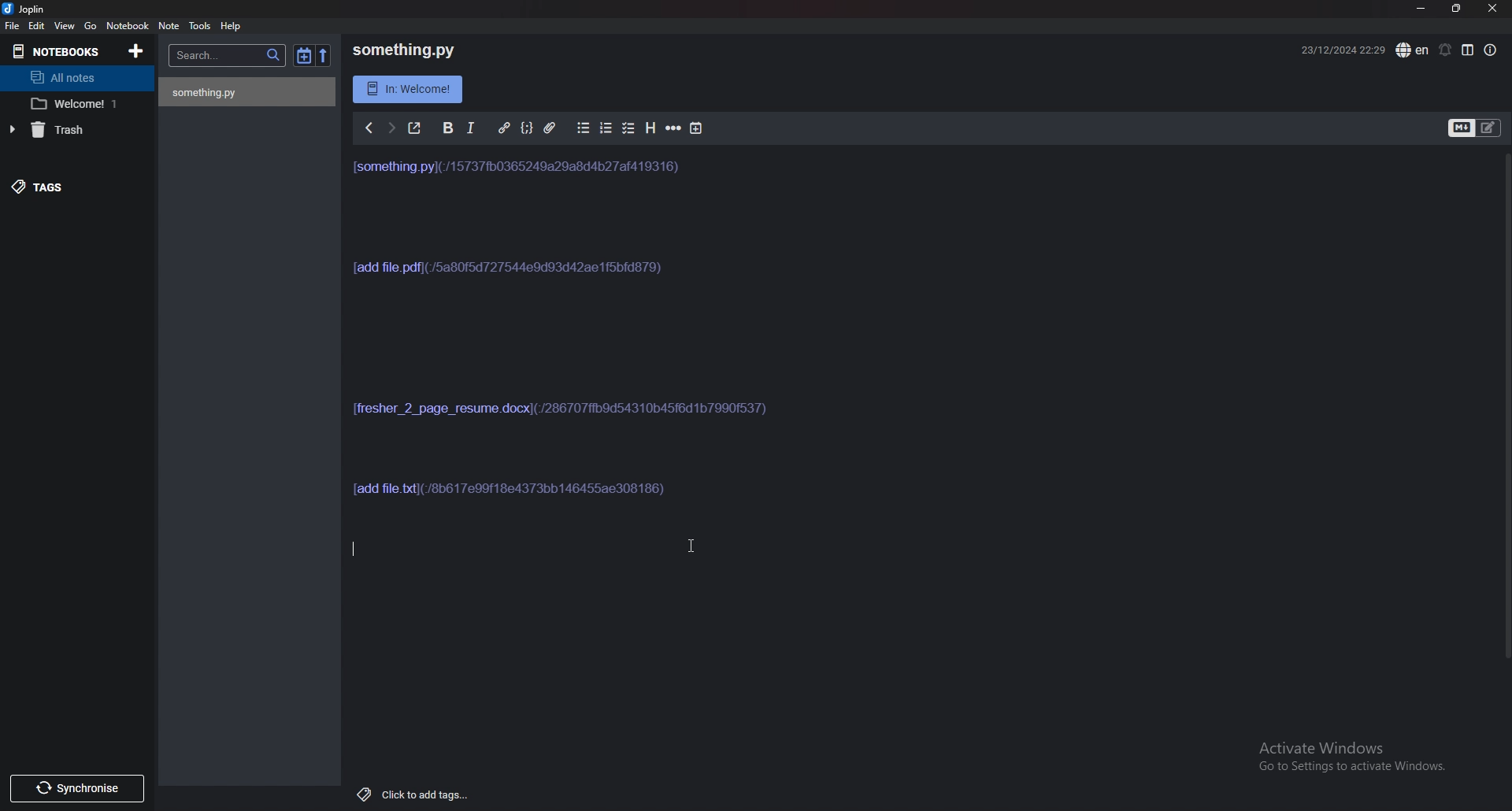 Image resolution: width=1512 pixels, height=811 pixels. What do you see at coordinates (13, 26) in the screenshot?
I see `File` at bounding box center [13, 26].